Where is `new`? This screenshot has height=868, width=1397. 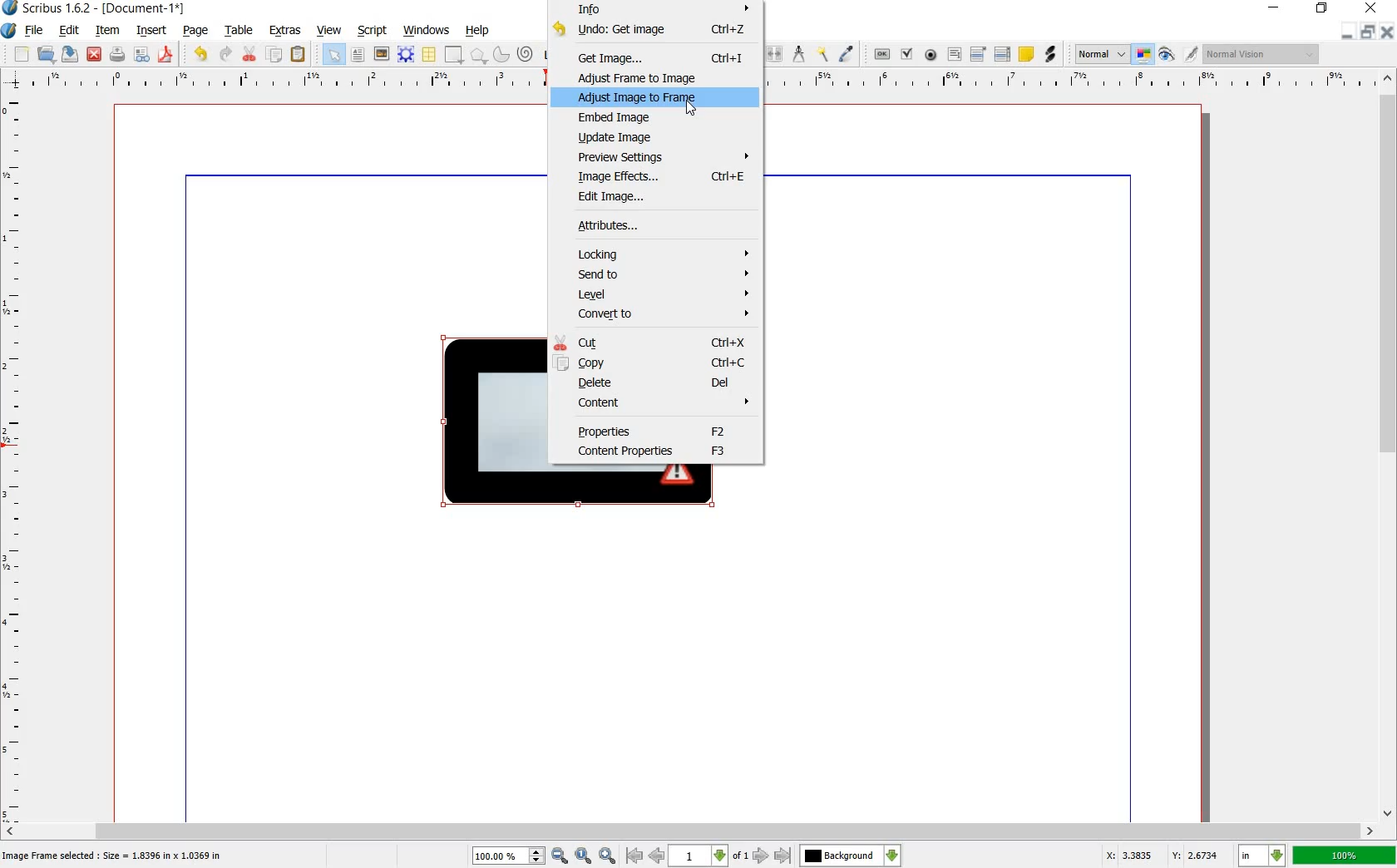 new is located at coordinates (21, 54).